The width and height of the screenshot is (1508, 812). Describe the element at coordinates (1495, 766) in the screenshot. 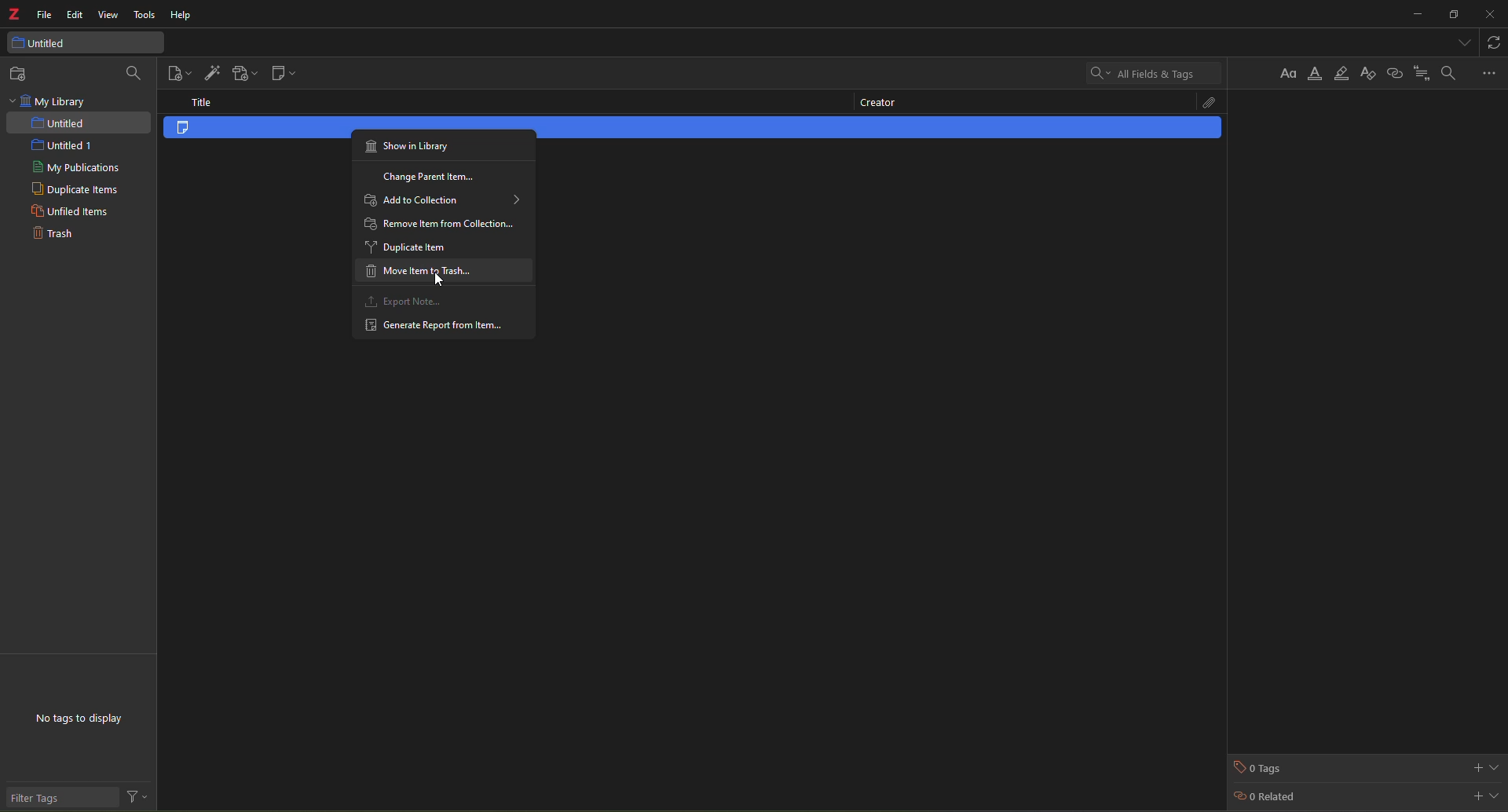

I see `expand` at that location.